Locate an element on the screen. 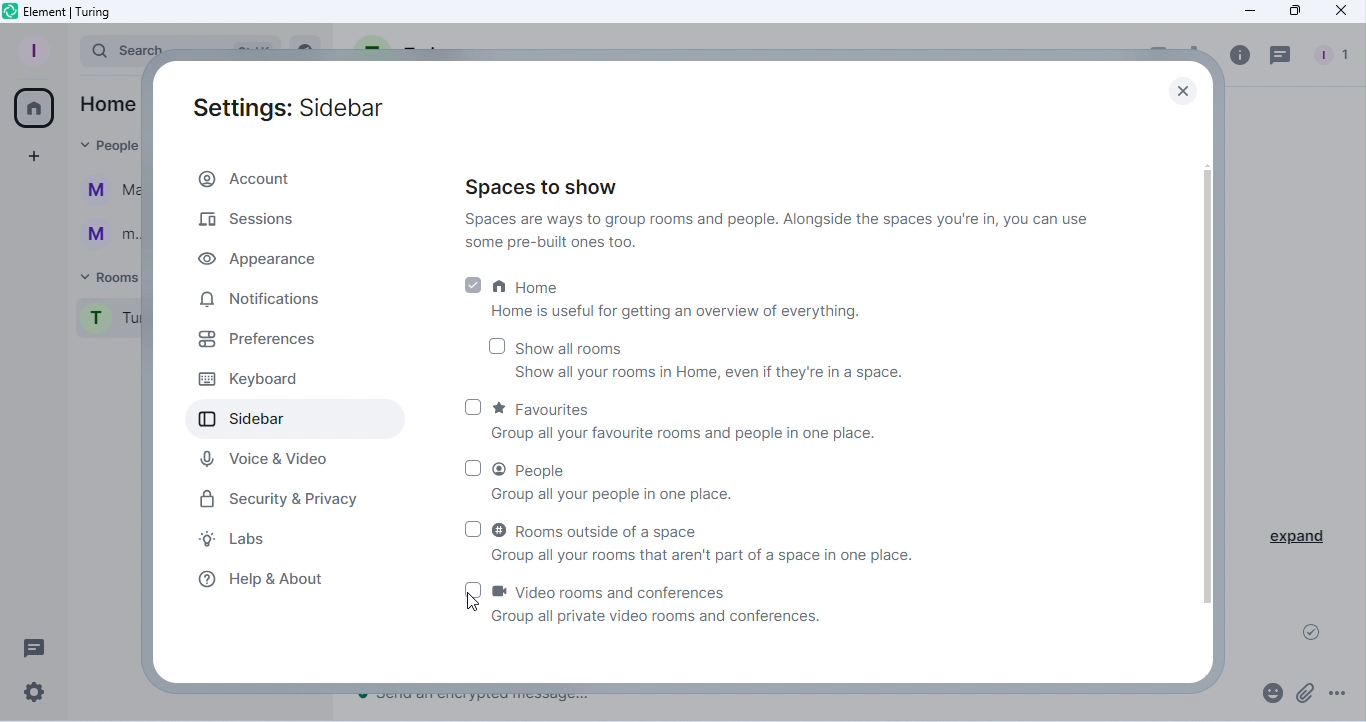 The height and width of the screenshot is (722, 1366). People is located at coordinates (678, 479).